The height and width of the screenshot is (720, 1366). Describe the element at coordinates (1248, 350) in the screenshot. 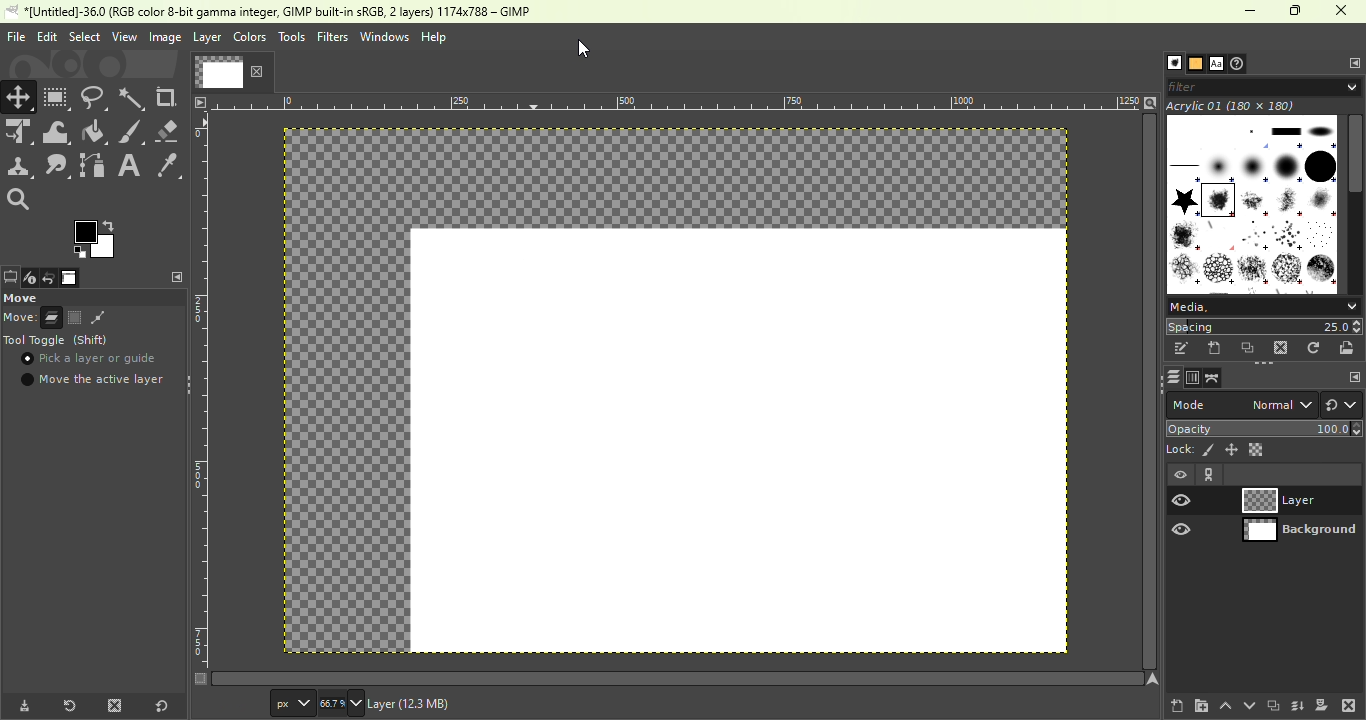

I see `Duplicate the brush` at that location.